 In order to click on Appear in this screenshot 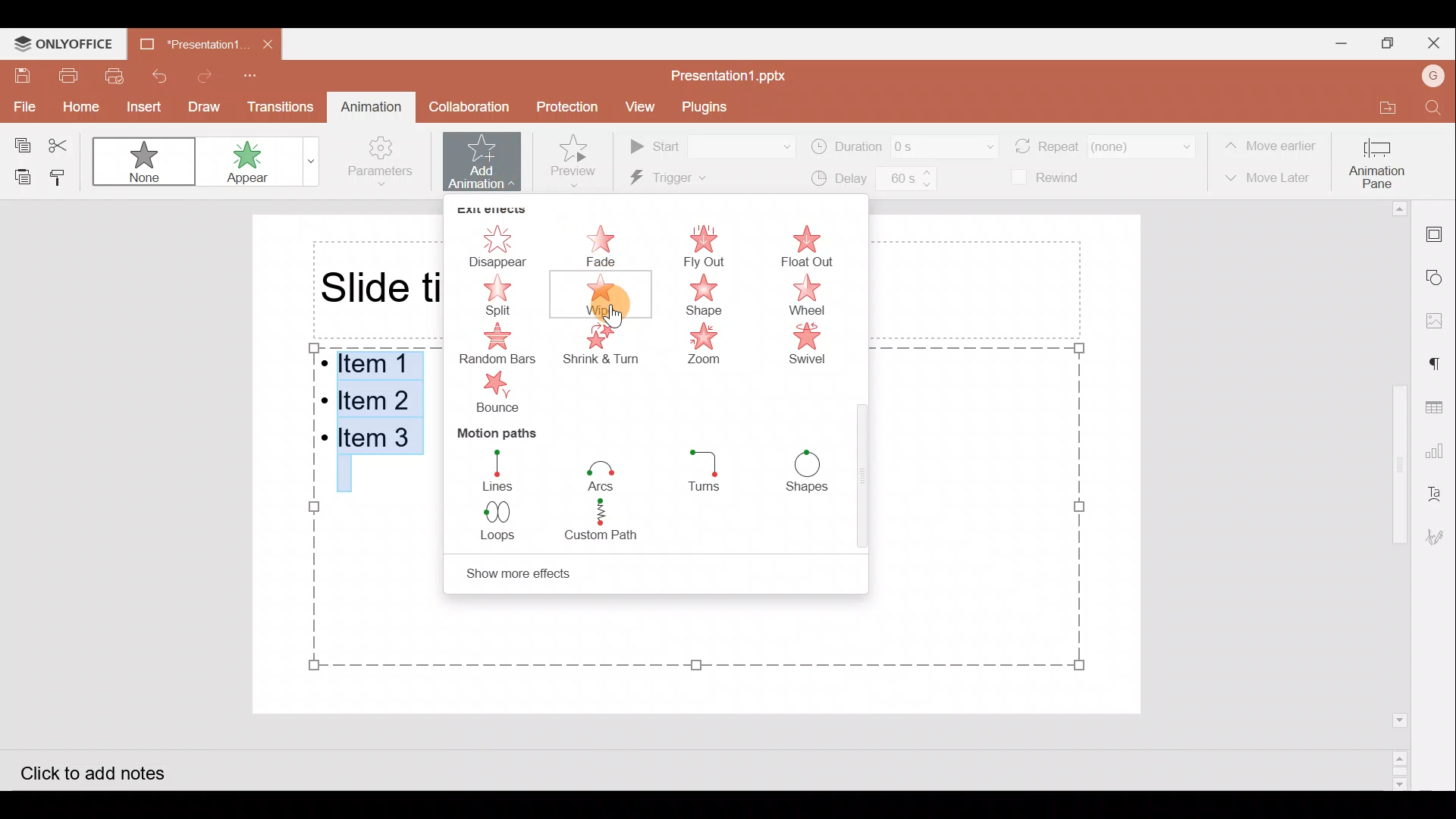, I will do `click(261, 165)`.